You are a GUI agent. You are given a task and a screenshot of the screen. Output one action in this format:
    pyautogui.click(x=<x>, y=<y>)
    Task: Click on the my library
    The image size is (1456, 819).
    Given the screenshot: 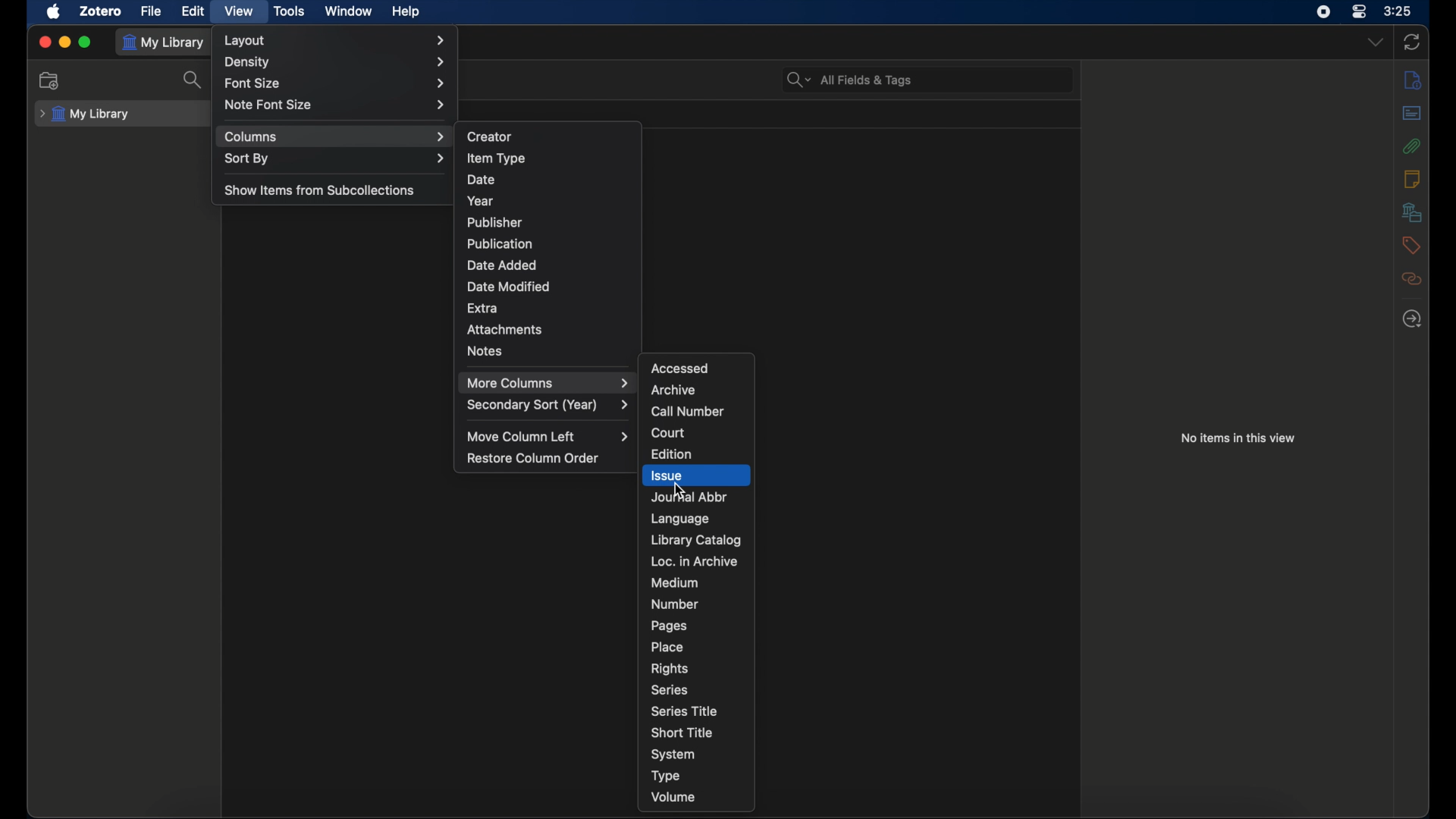 What is the action you would take?
    pyautogui.click(x=165, y=42)
    